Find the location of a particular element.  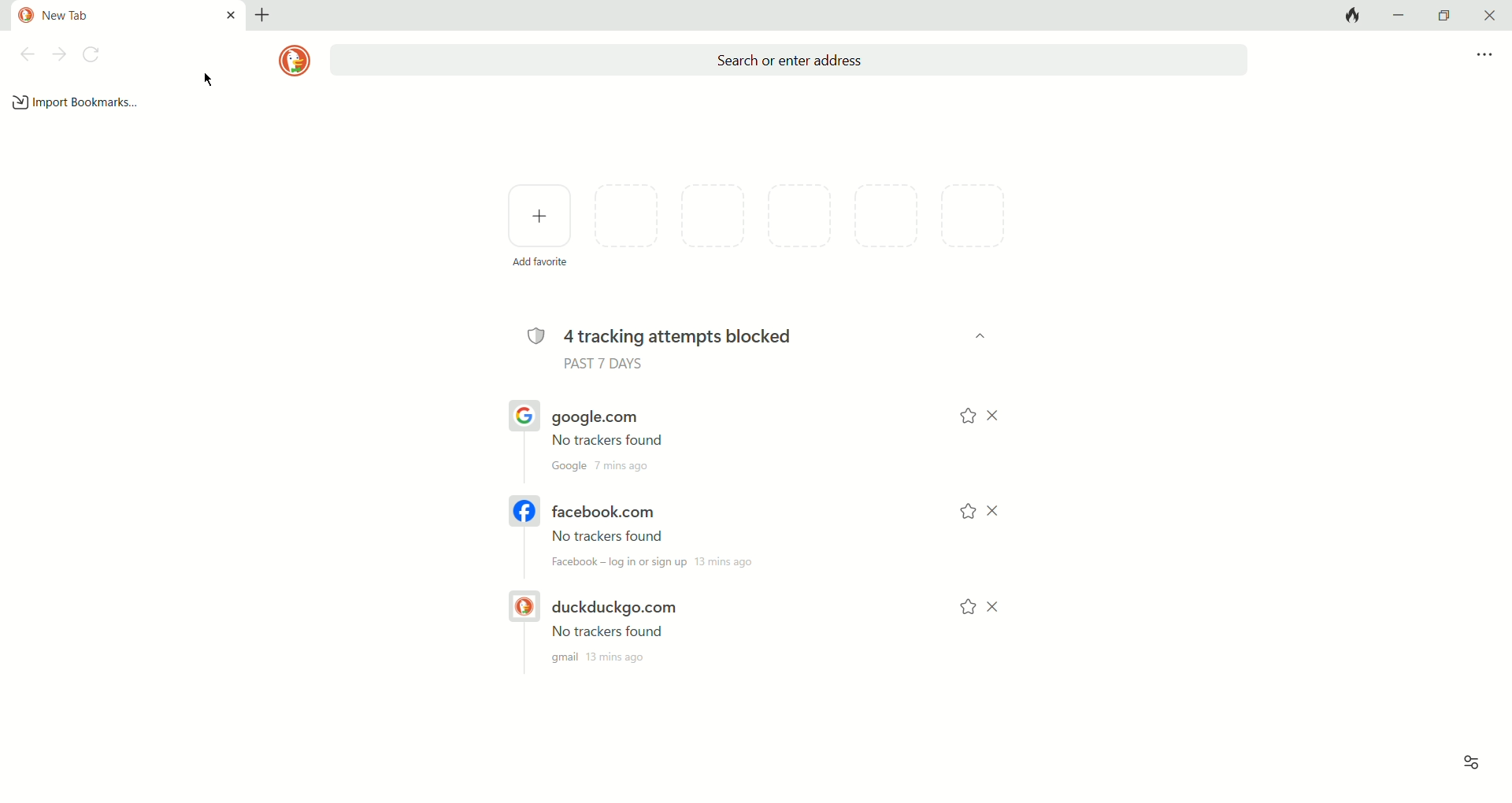

logo is located at coordinates (295, 59).